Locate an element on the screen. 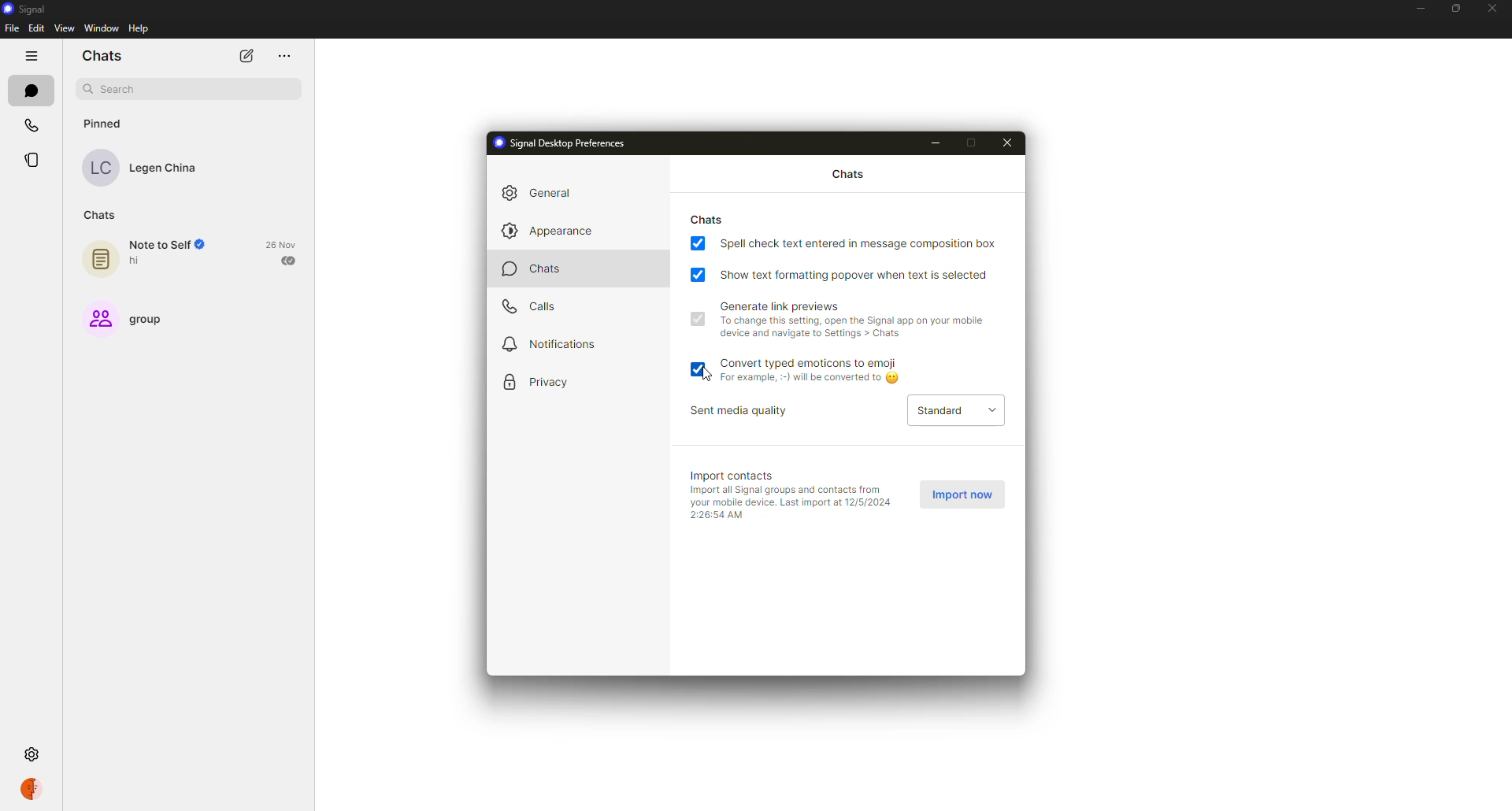  privacy is located at coordinates (540, 383).